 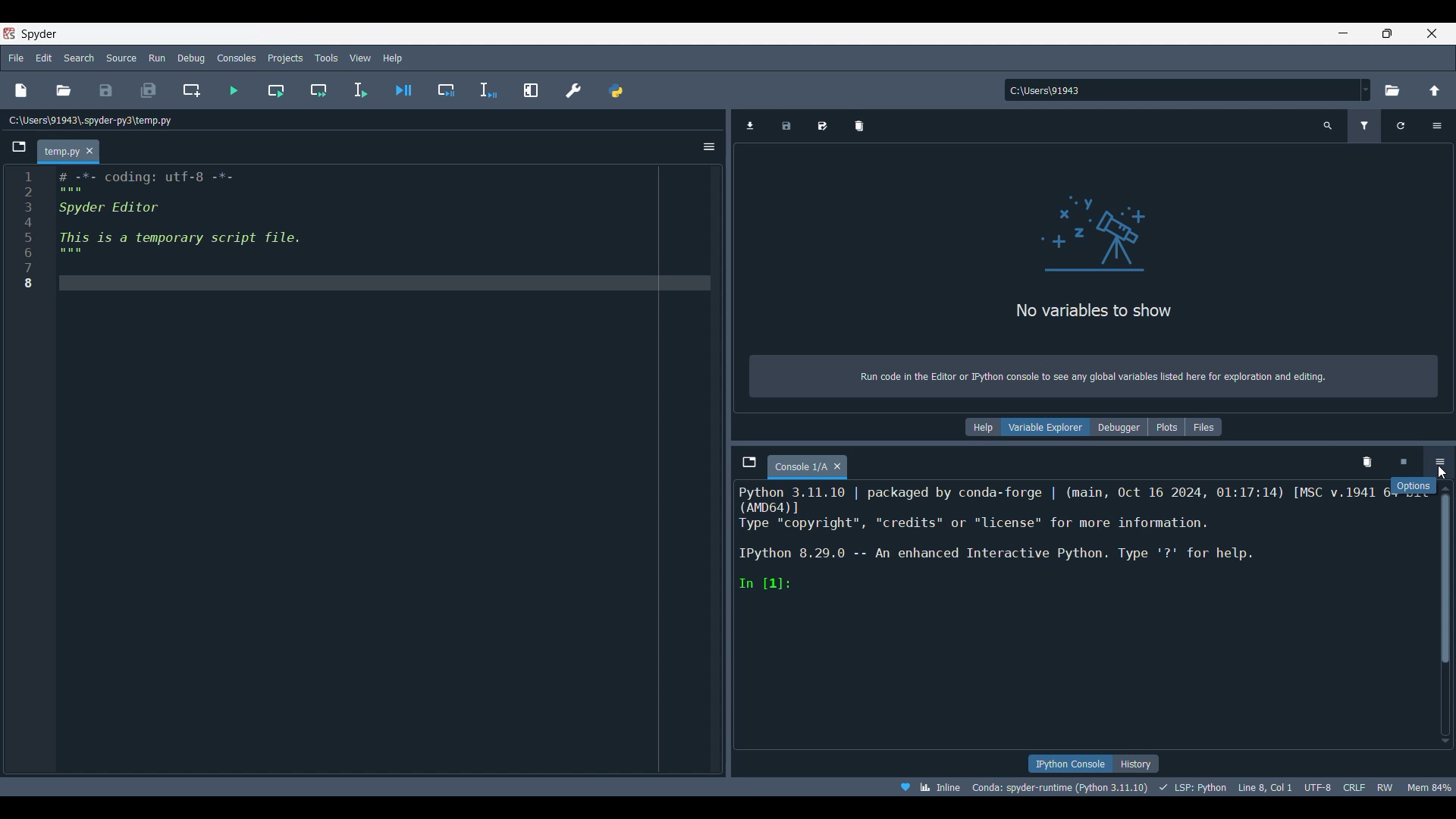 I want to click on Minimize, so click(x=1344, y=33).